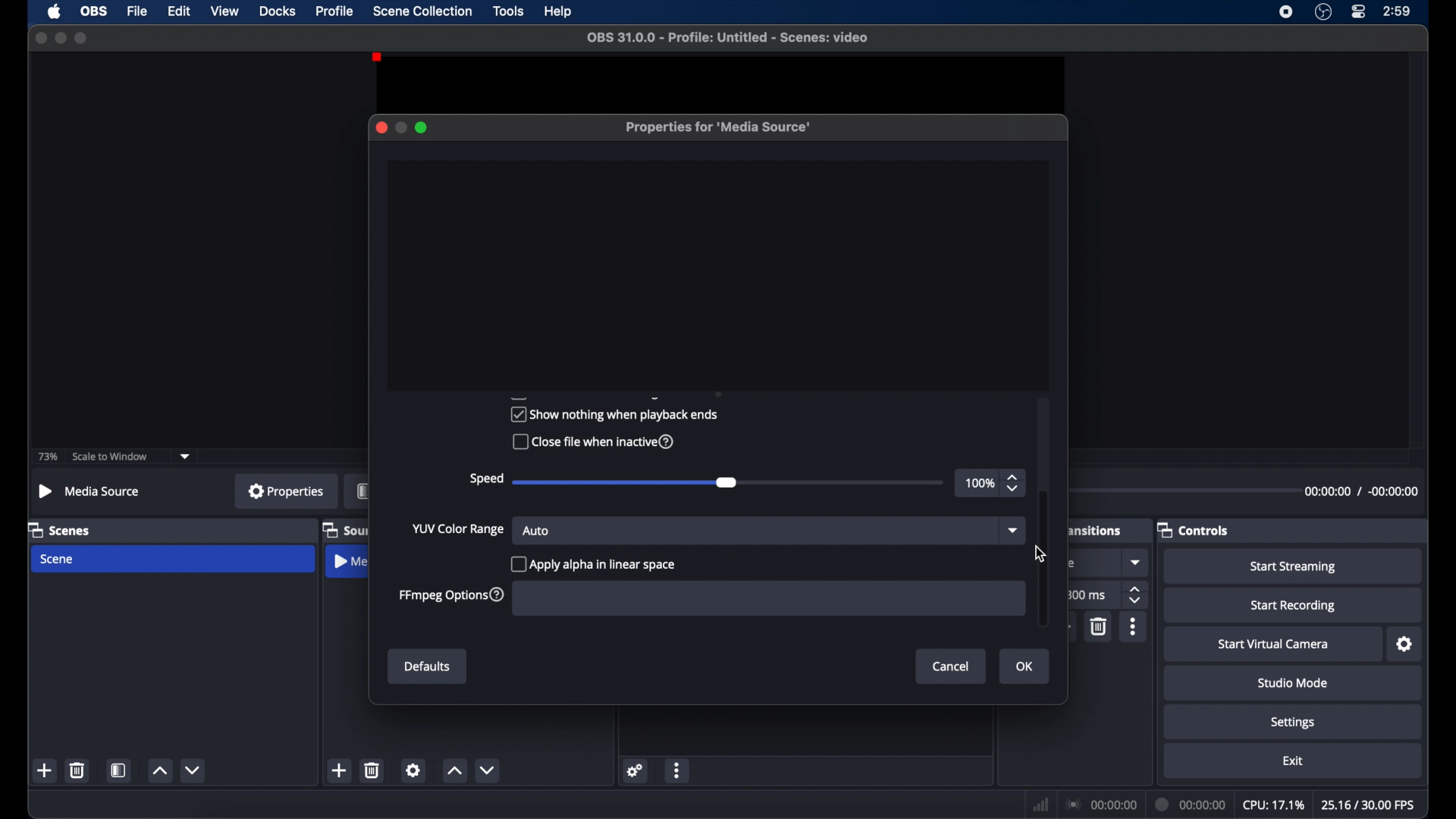 This screenshot has height=819, width=1456. What do you see at coordinates (485, 479) in the screenshot?
I see `speed` at bounding box center [485, 479].